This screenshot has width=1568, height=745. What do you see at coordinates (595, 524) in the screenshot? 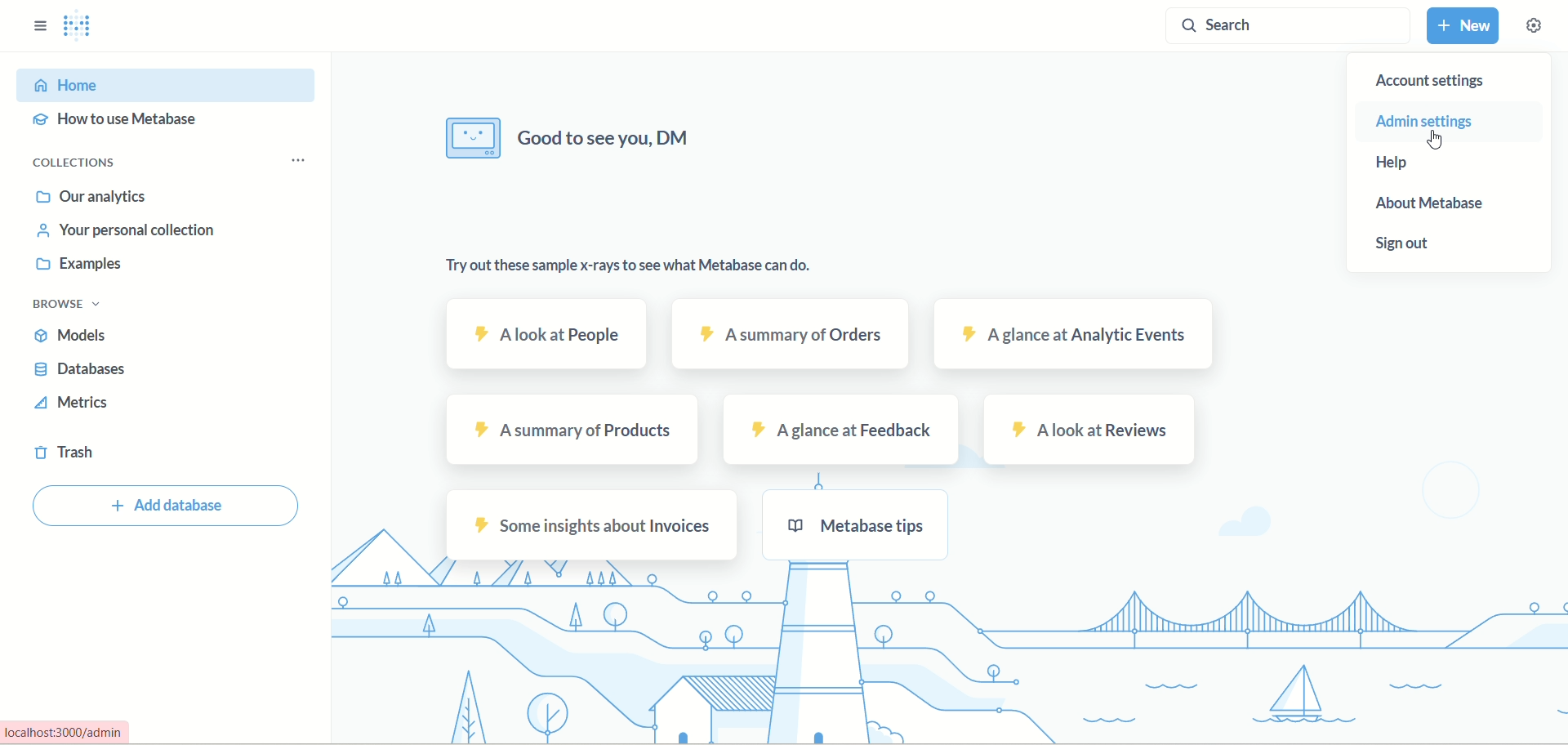
I see `invoices` at bounding box center [595, 524].